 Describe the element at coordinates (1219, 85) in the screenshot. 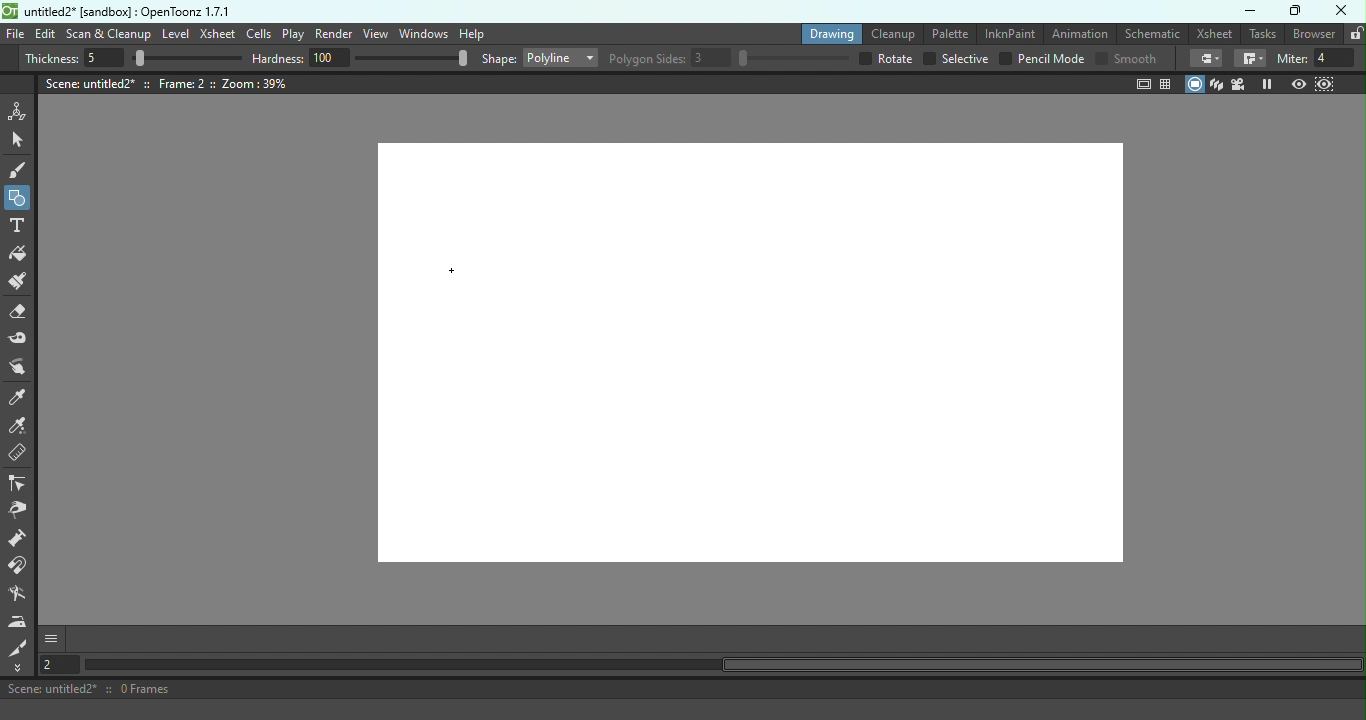

I see `3D view` at that location.